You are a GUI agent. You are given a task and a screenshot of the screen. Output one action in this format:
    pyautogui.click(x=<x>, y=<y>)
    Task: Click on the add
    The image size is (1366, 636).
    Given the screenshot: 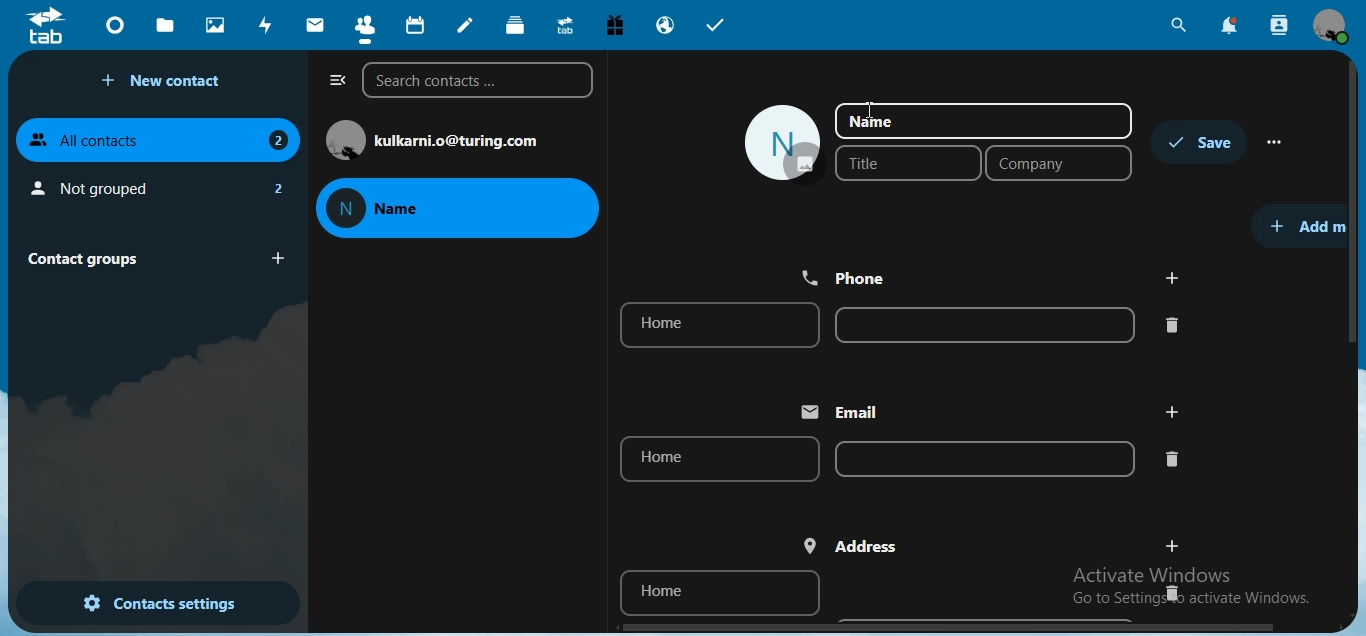 What is the action you would take?
    pyautogui.click(x=1172, y=278)
    